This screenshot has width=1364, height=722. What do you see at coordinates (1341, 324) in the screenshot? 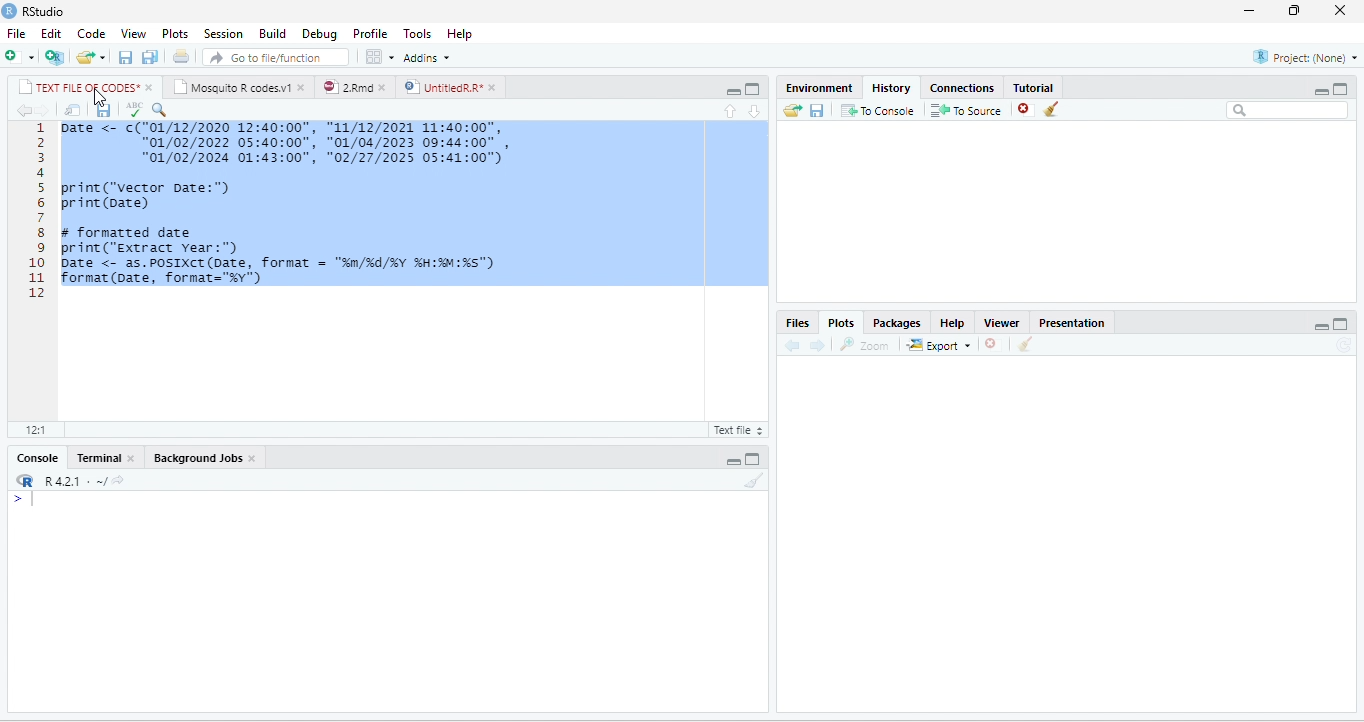
I see `maximize` at bounding box center [1341, 324].